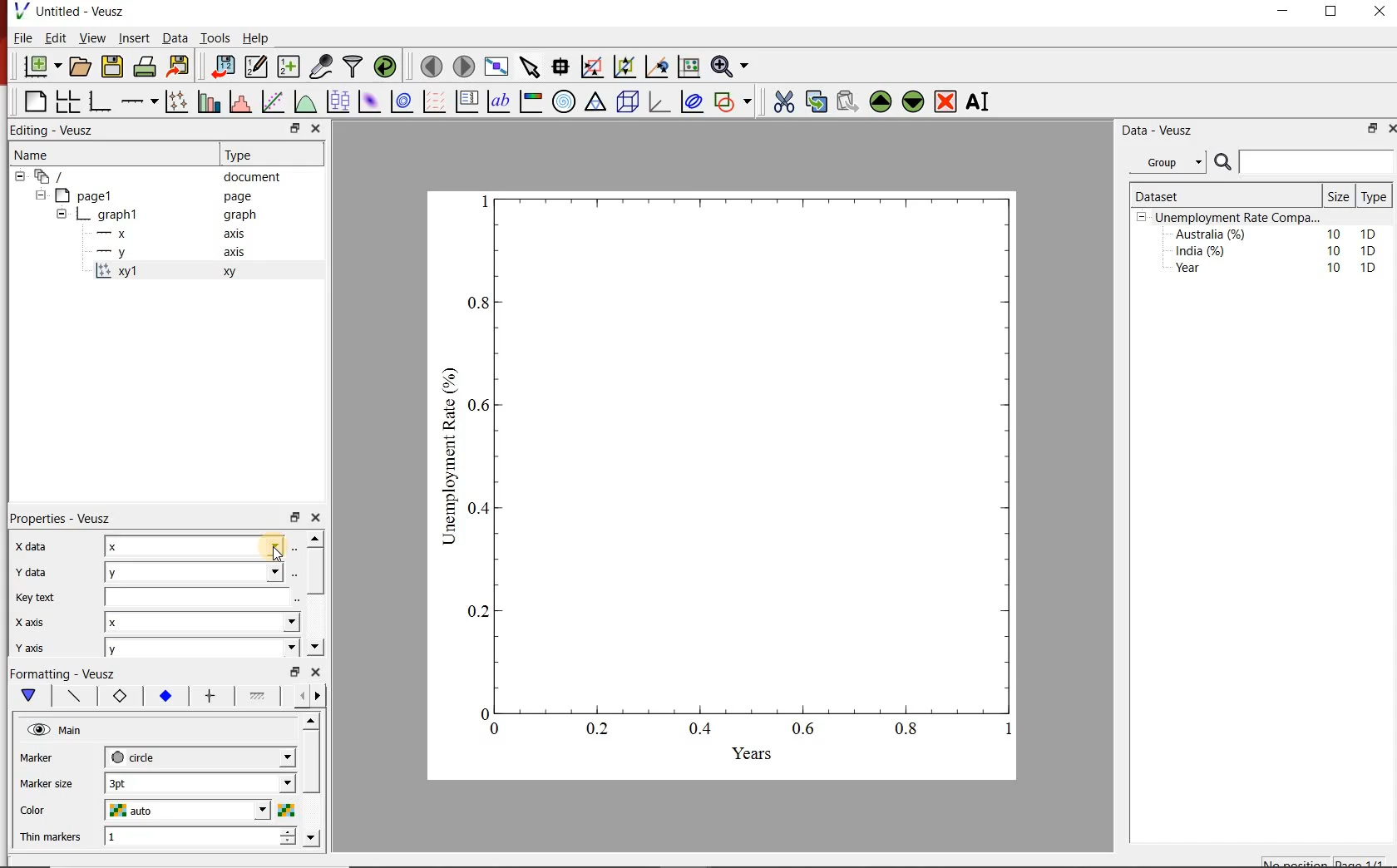  I want to click on key text field, so click(200, 596).